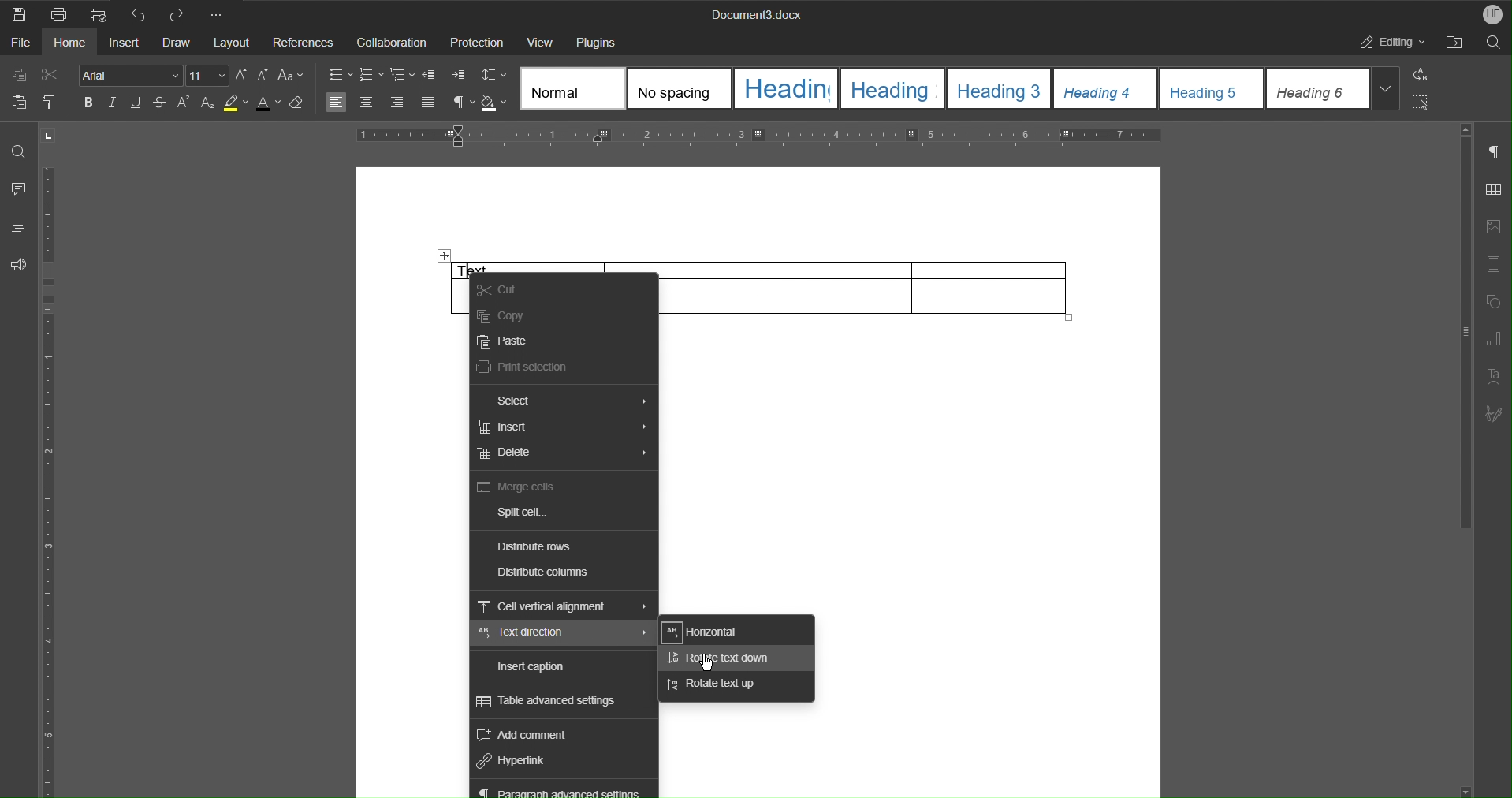 The image size is (1512, 798). I want to click on Distribute rows, so click(536, 546).